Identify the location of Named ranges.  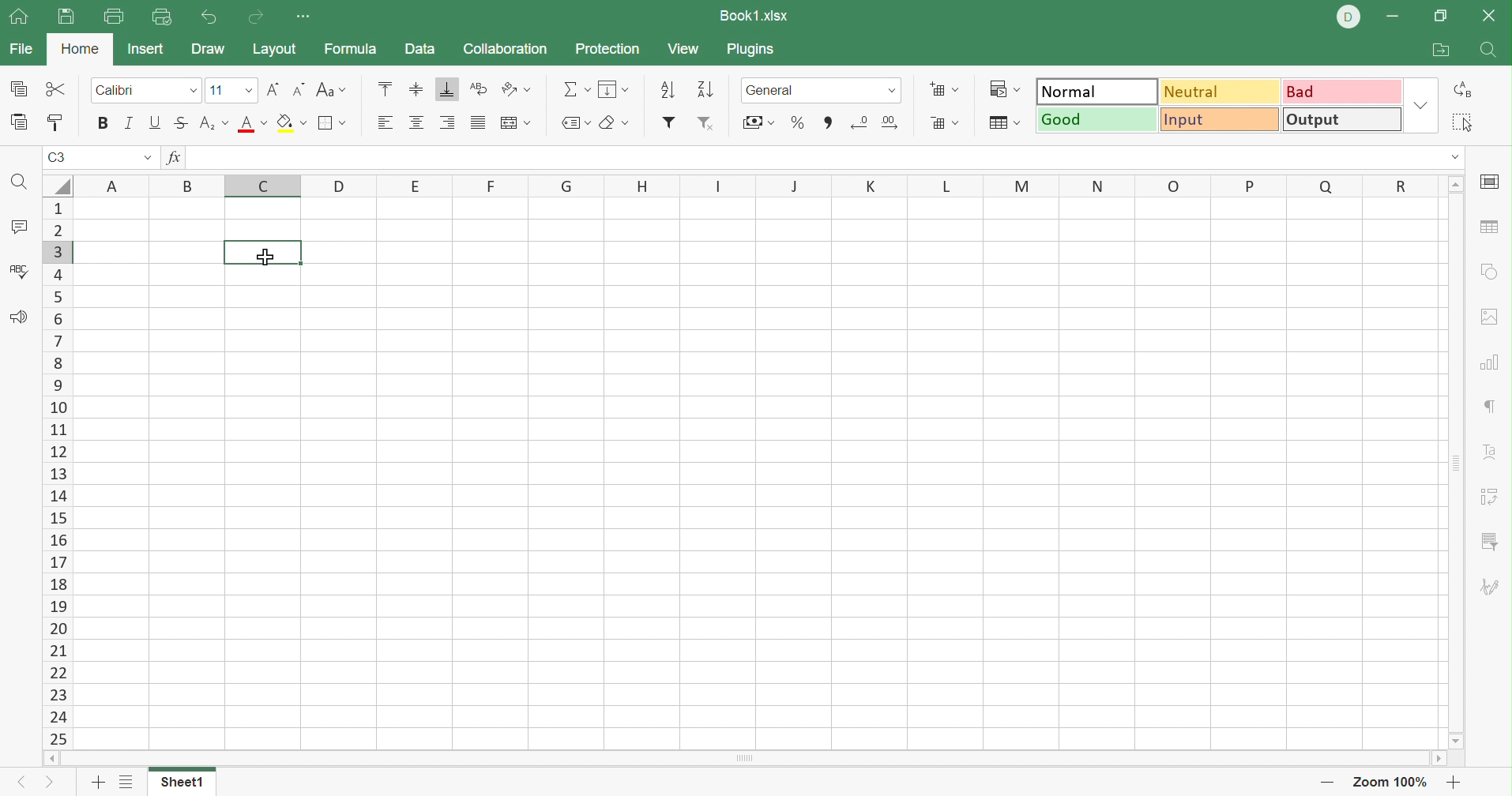
(574, 124).